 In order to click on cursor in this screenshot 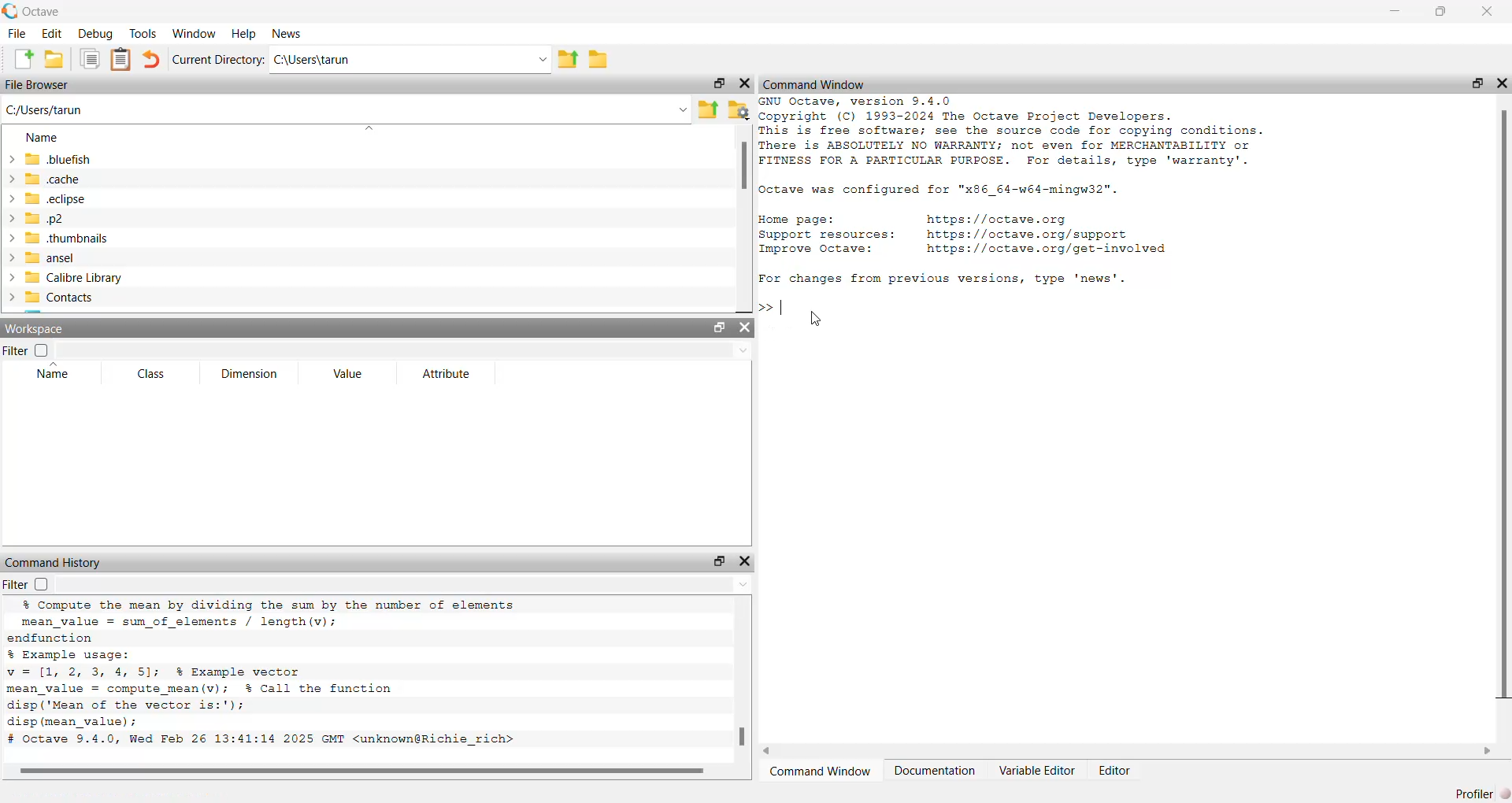, I will do `click(817, 320)`.